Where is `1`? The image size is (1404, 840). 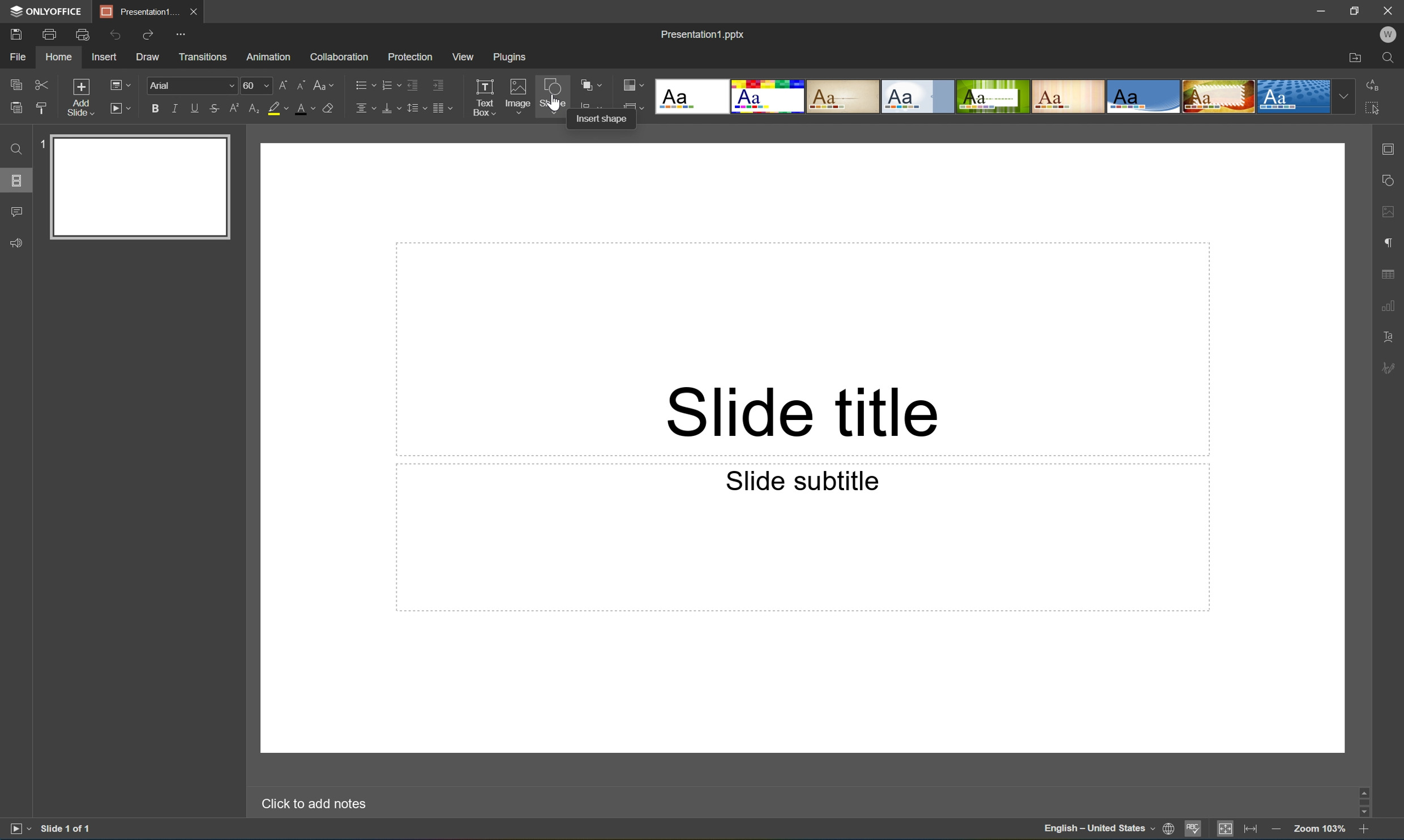 1 is located at coordinates (38, 146).